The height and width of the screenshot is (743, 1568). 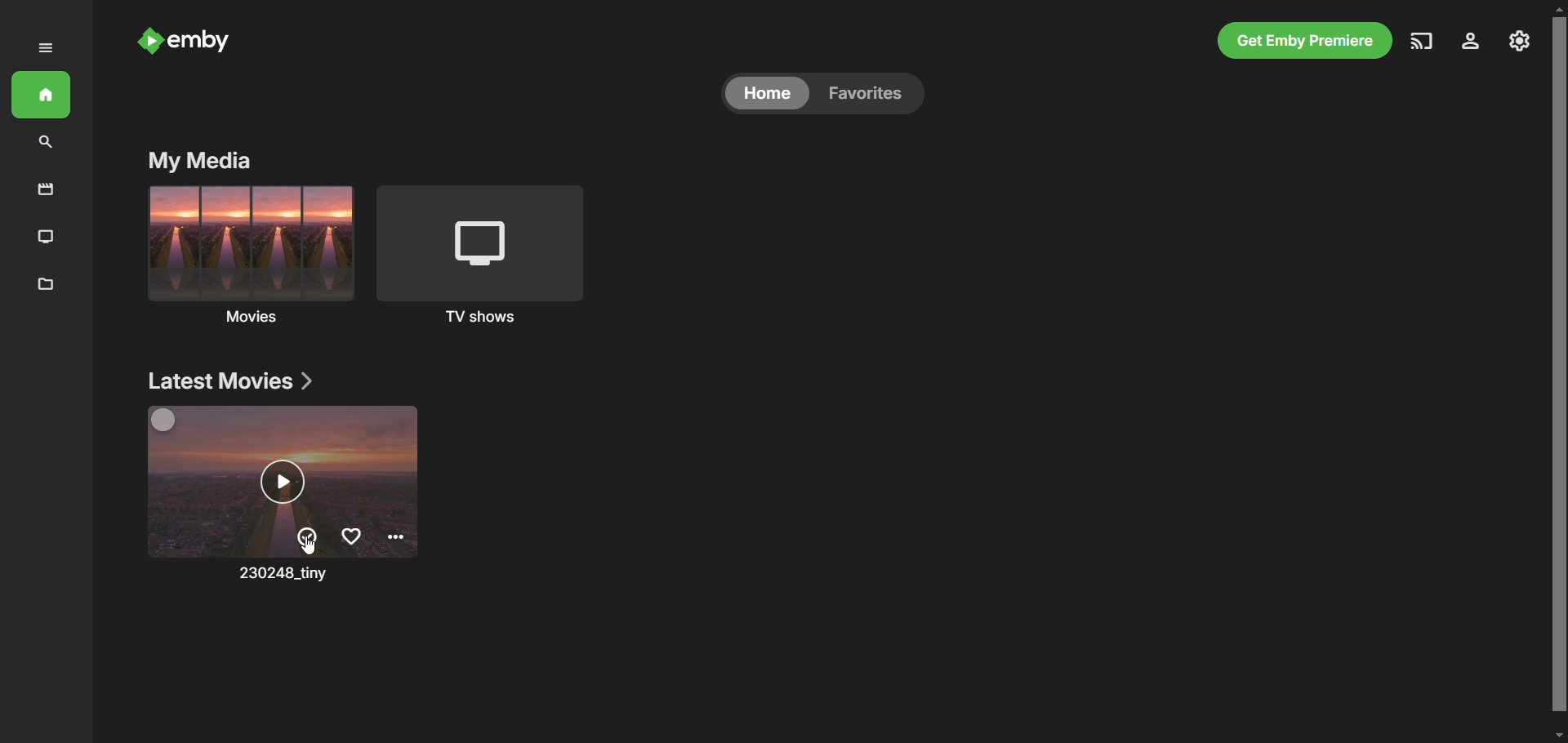 What do you see at coordinates (47, 143) in the screenshot?
I see `search` at bounding box center [47, 143].